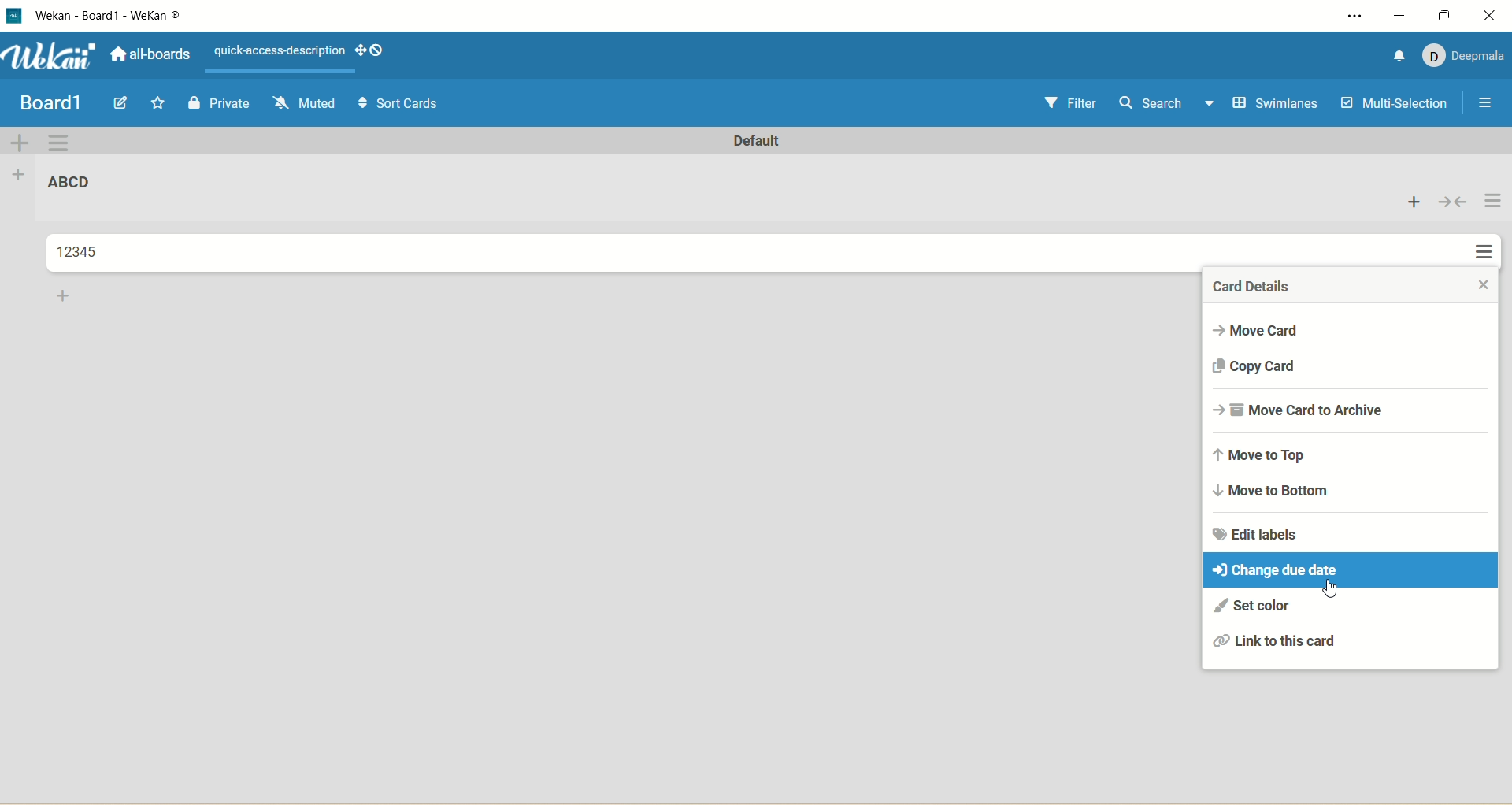 The image size is (1512, 805). Describe the element at coordinates (217, 106) in the screenshot. I see `private` at that location.